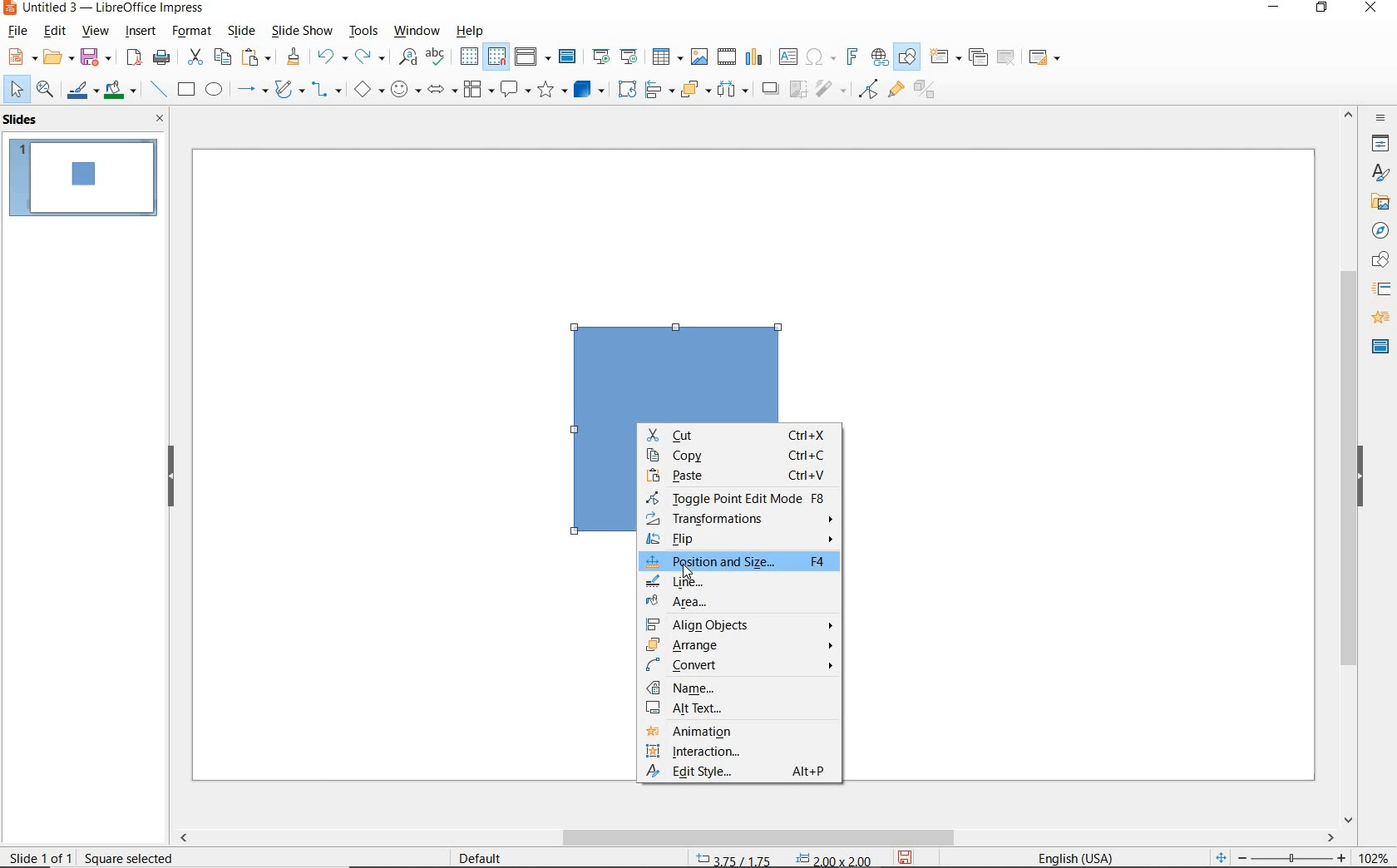 The height and width of the screenshot is (868, 1397). What do you see at coordinates (57, 57) in the screenshot?
I see `open` at bounding box center [57, 57].